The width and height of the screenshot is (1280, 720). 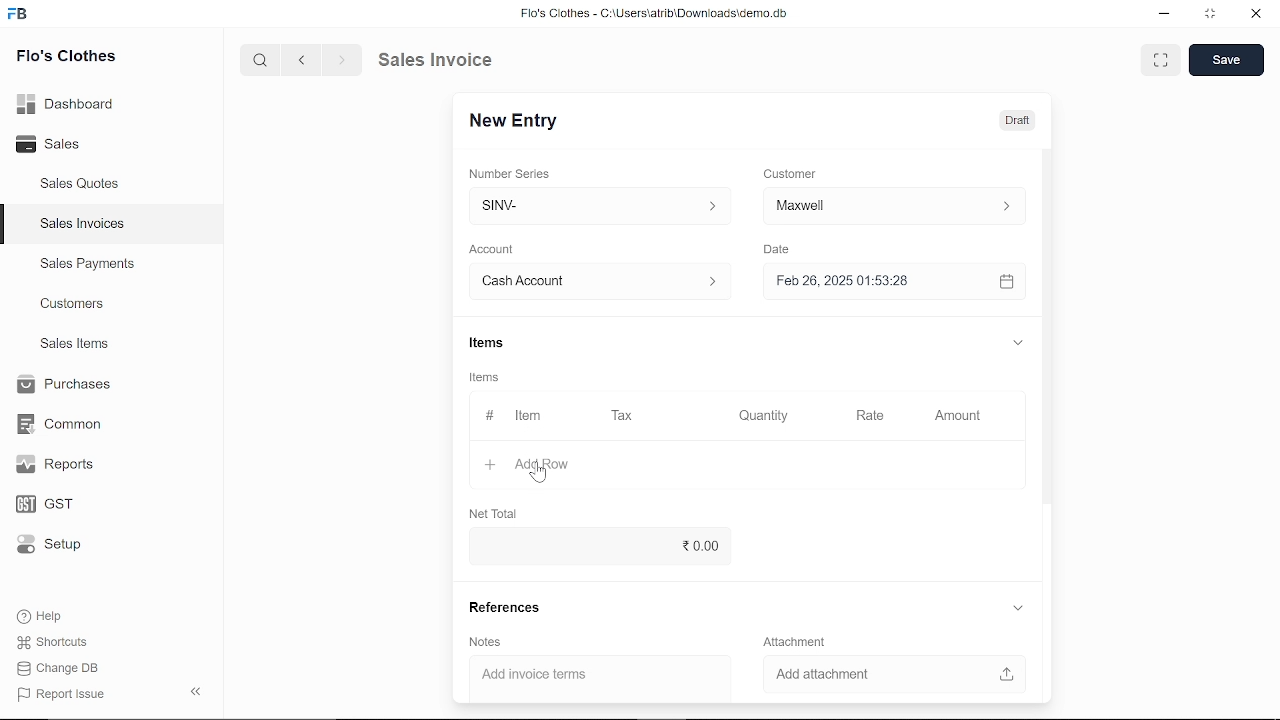 I want to click on open calender, so click(x=1006, y=281).